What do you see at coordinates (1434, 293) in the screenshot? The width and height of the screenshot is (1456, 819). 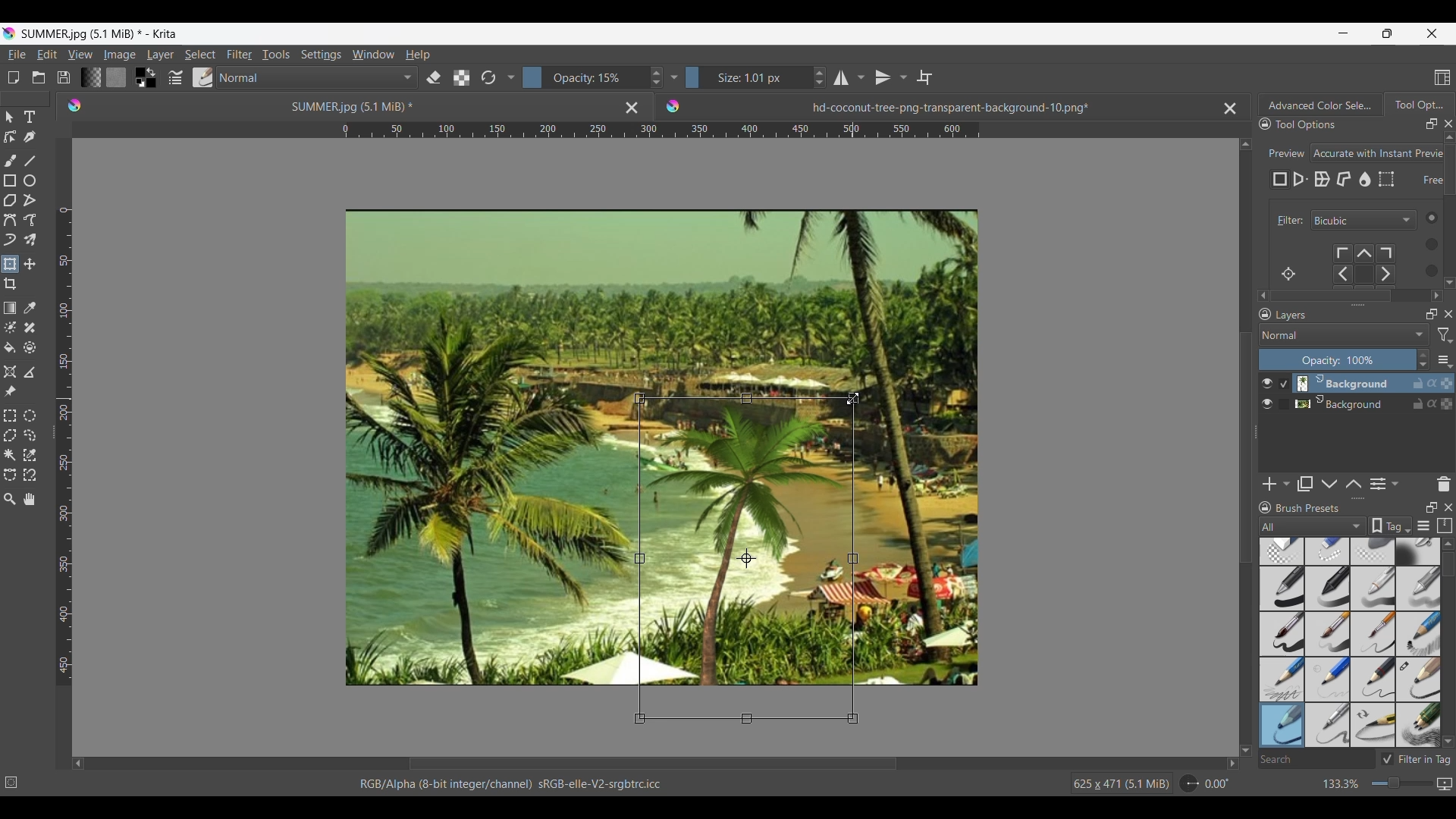 I see `Right` at bounding box center [1434, 293].